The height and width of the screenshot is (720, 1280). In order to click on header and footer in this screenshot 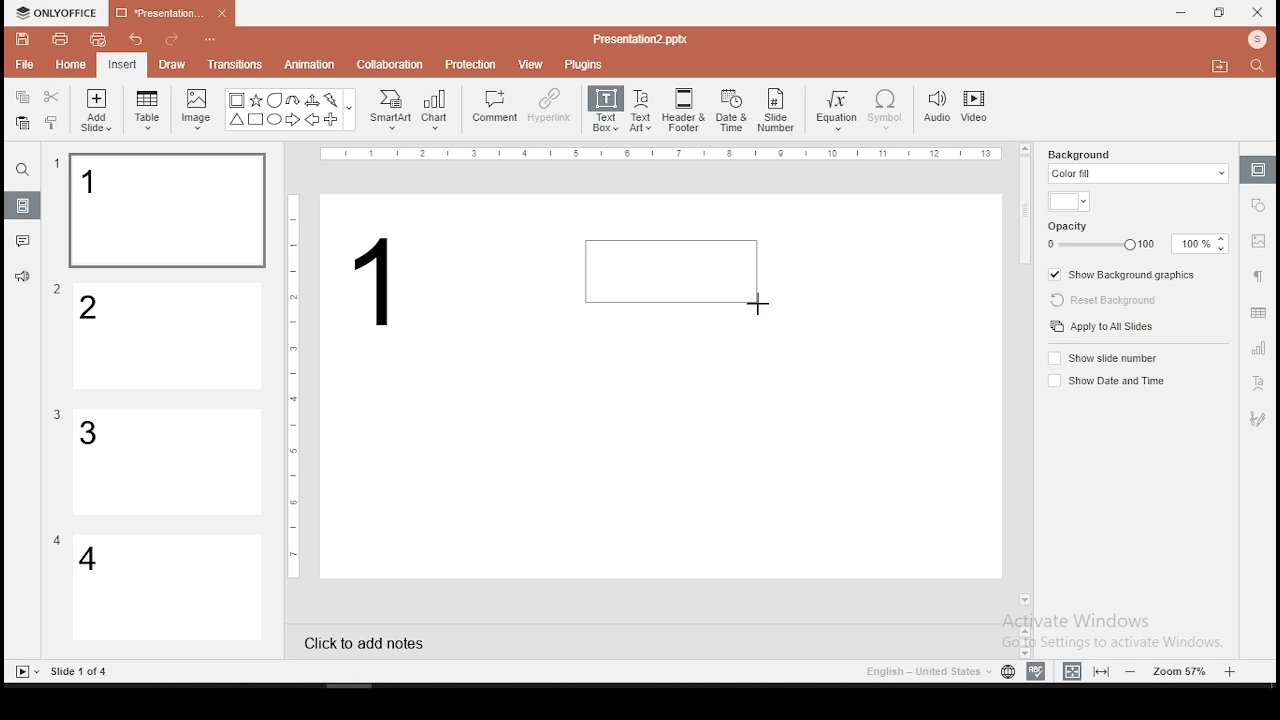, I will do `click(686, 111)`.